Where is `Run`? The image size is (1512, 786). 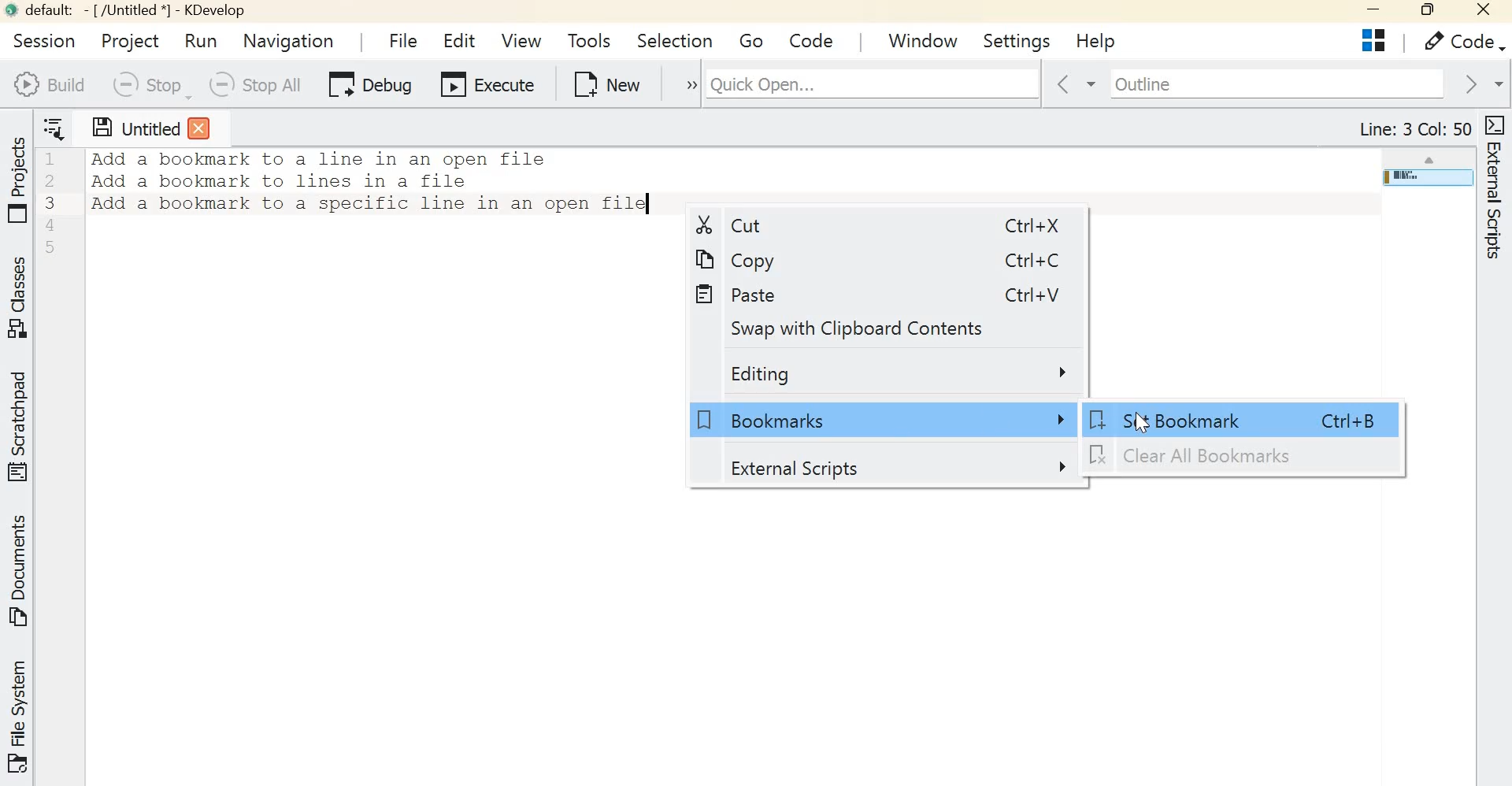
Run is located at coordinates (205, 40).